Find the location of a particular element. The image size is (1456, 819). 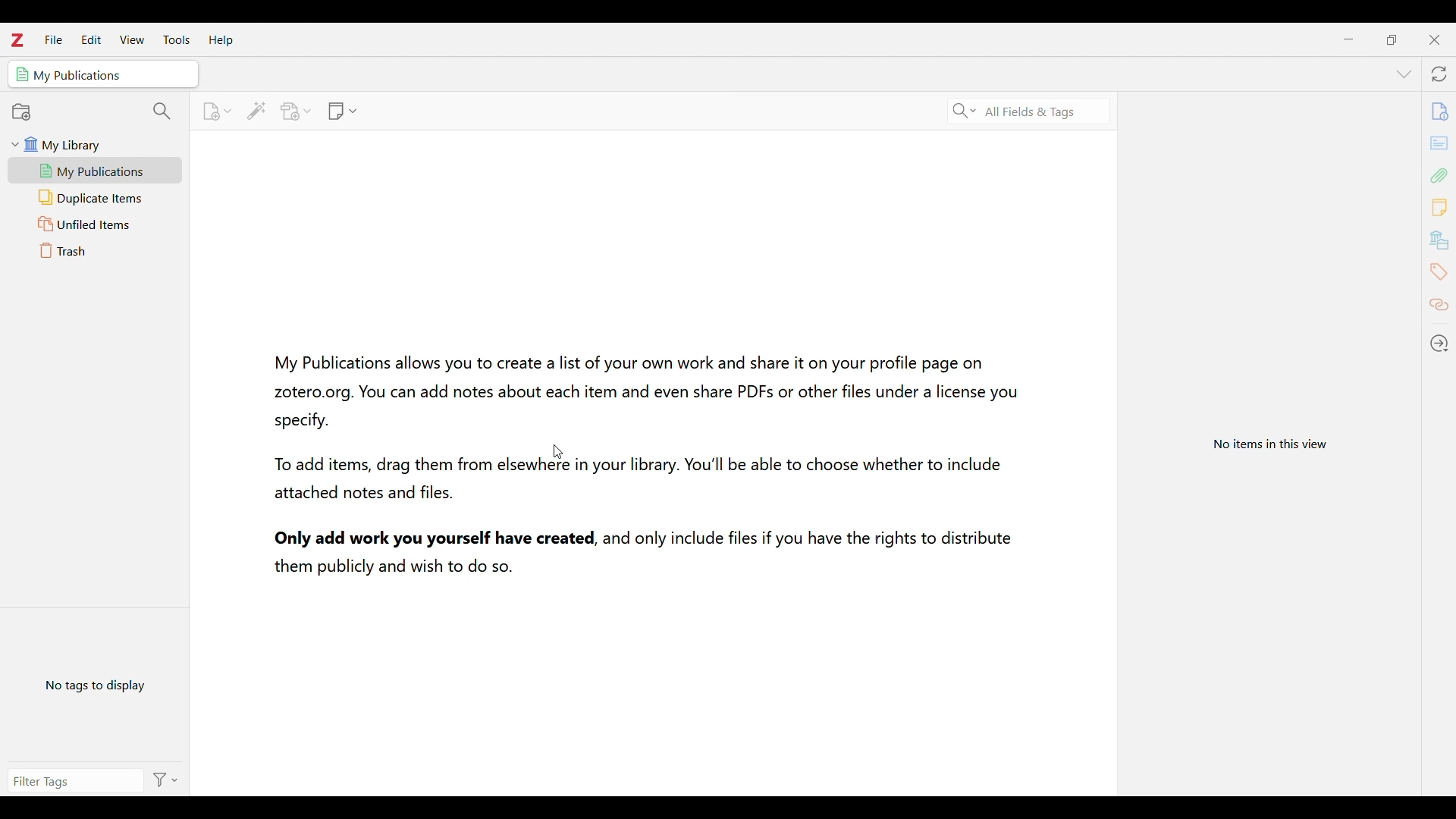

Duplicate items is located at coordinates (96, 198).